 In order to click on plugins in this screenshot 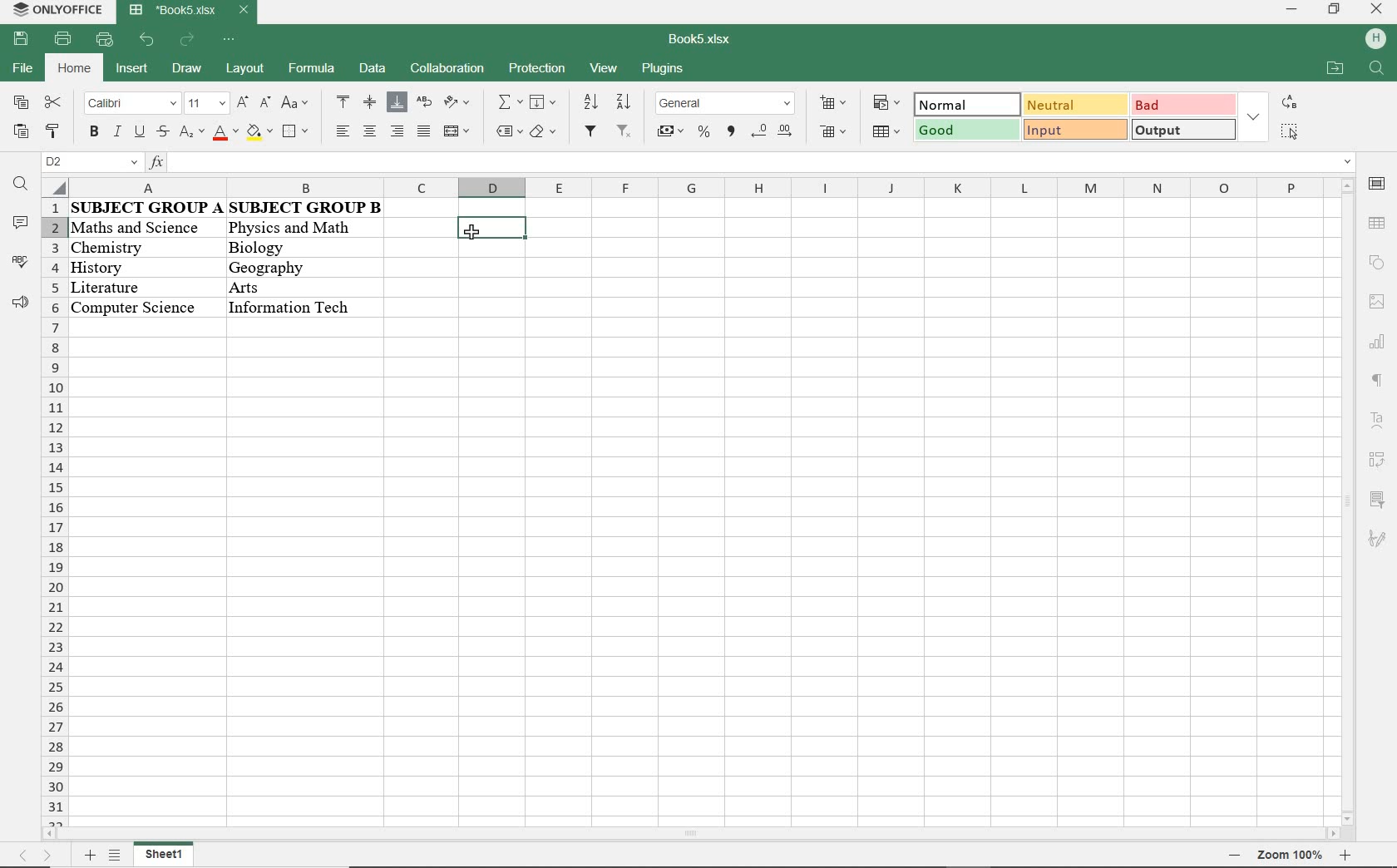, I will do `click(661, 70)`.